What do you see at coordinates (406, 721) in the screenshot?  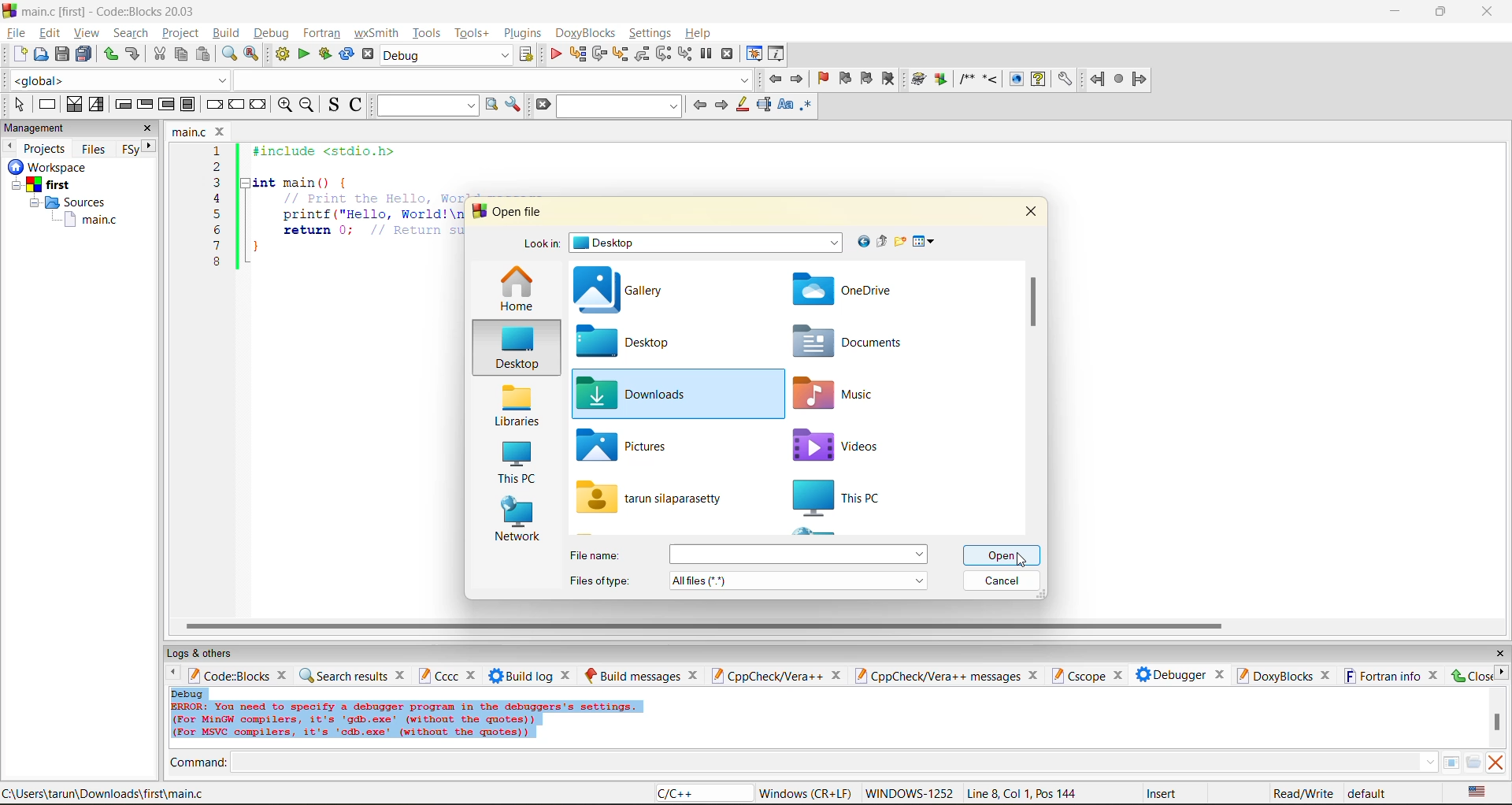 I see `Error info` at bounding box center [406, 721].